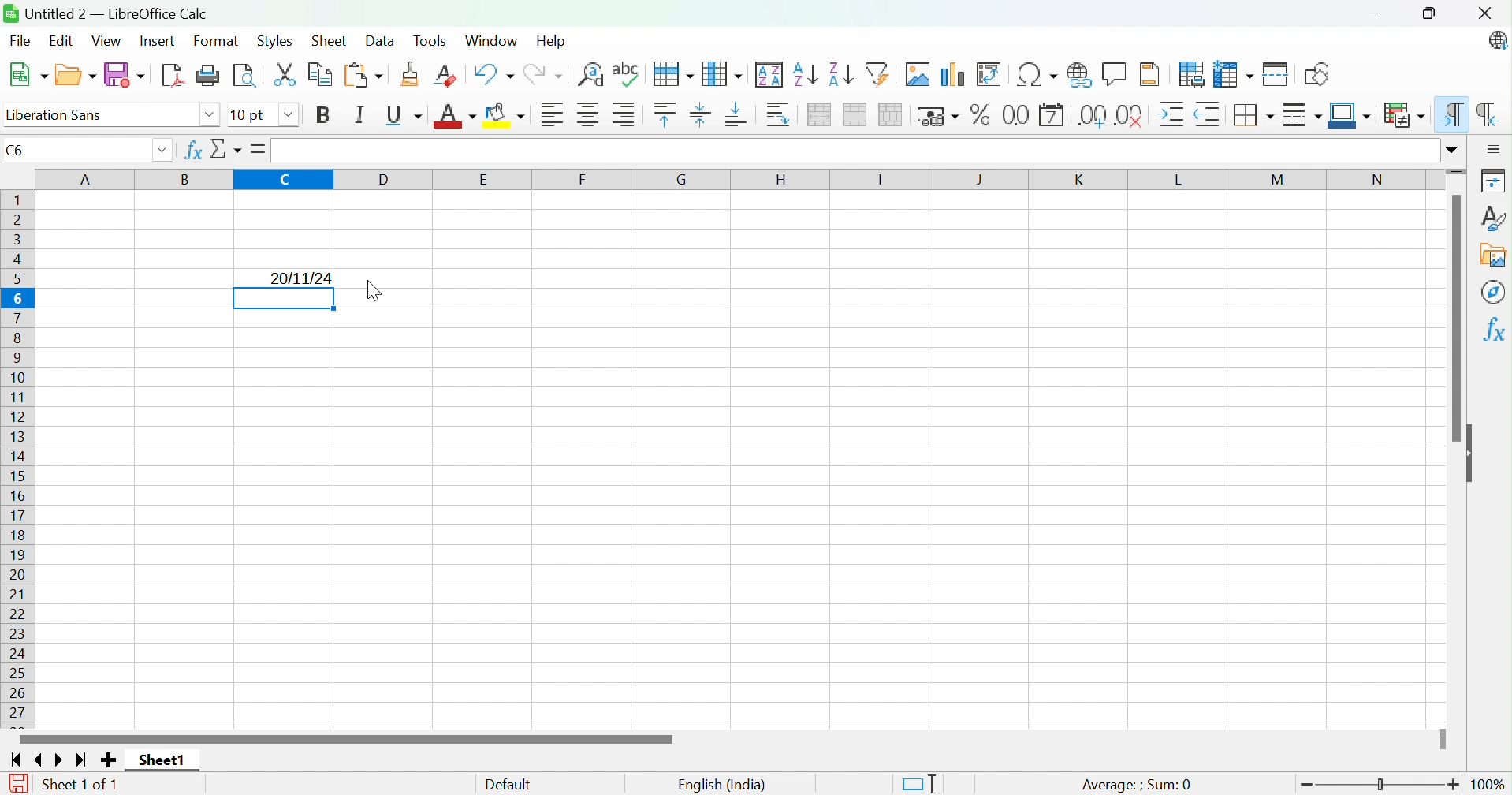 This screenshot has height=795, width=1512. What do you see at coordinates (551, 39) in the screenshot?
I see `Help` at bounding box center [551, 39].